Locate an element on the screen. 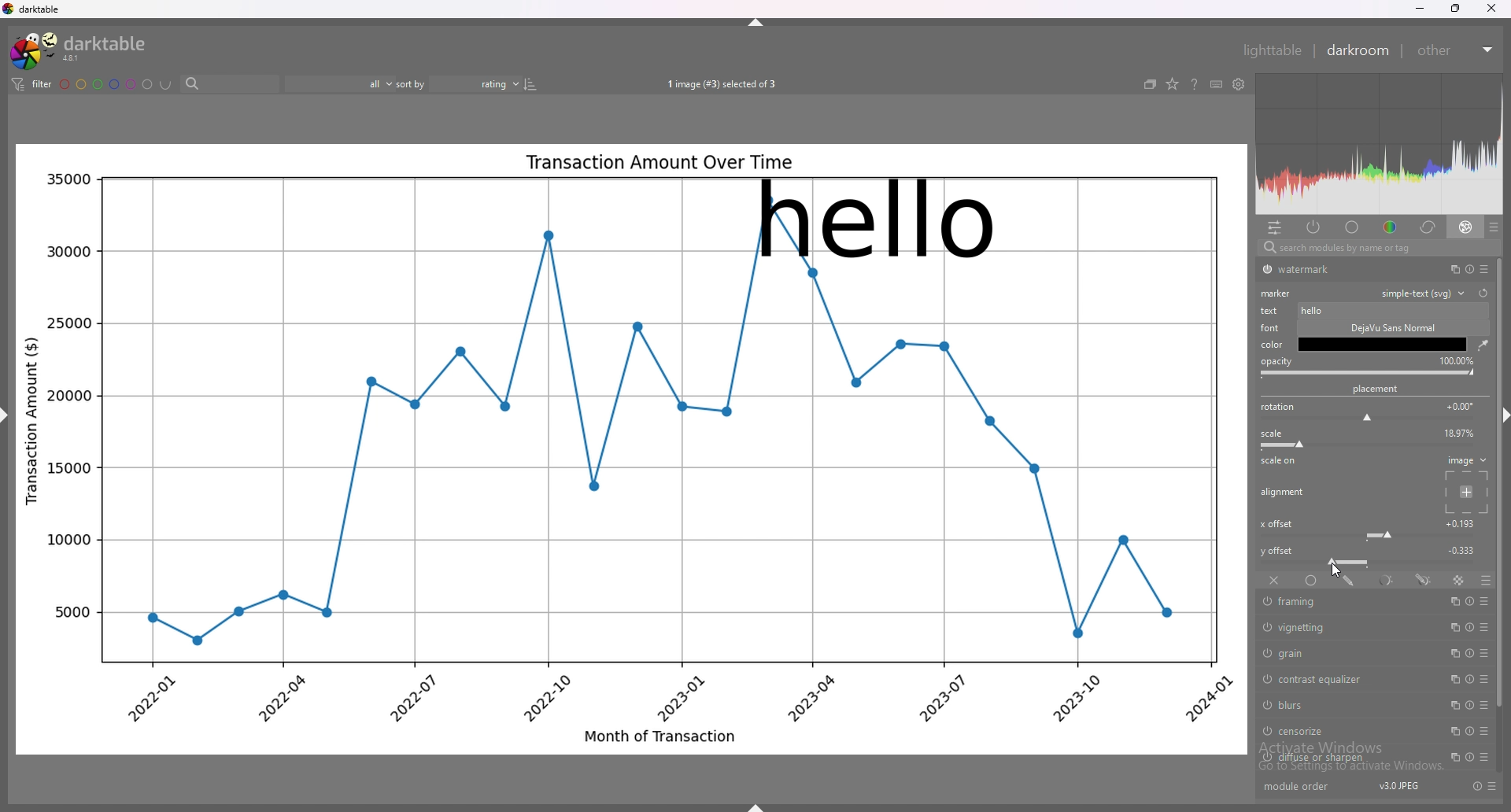  help is located at coordinates (1195, 85).